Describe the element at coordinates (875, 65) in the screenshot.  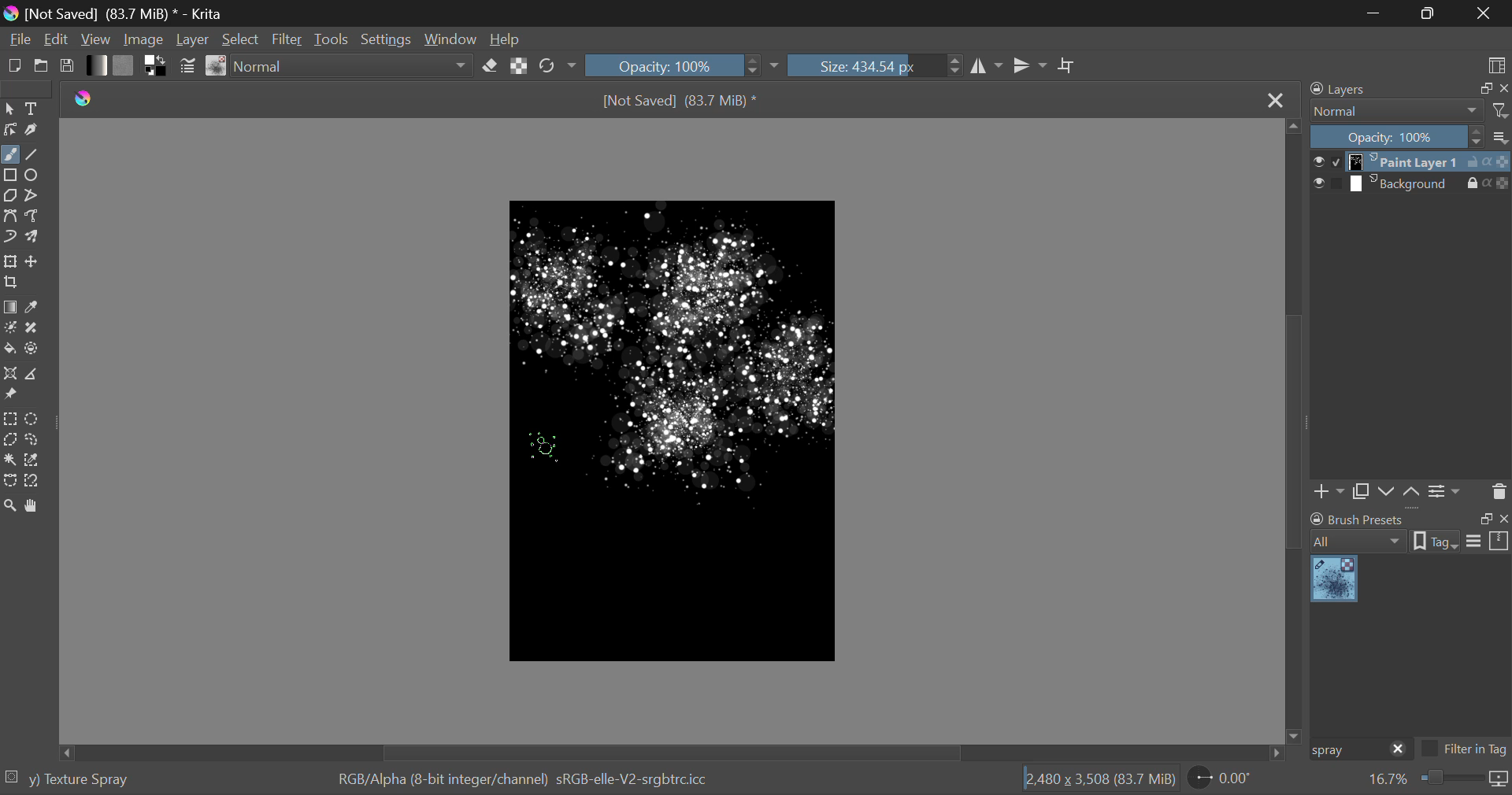
I see `Brush Size` at that location.